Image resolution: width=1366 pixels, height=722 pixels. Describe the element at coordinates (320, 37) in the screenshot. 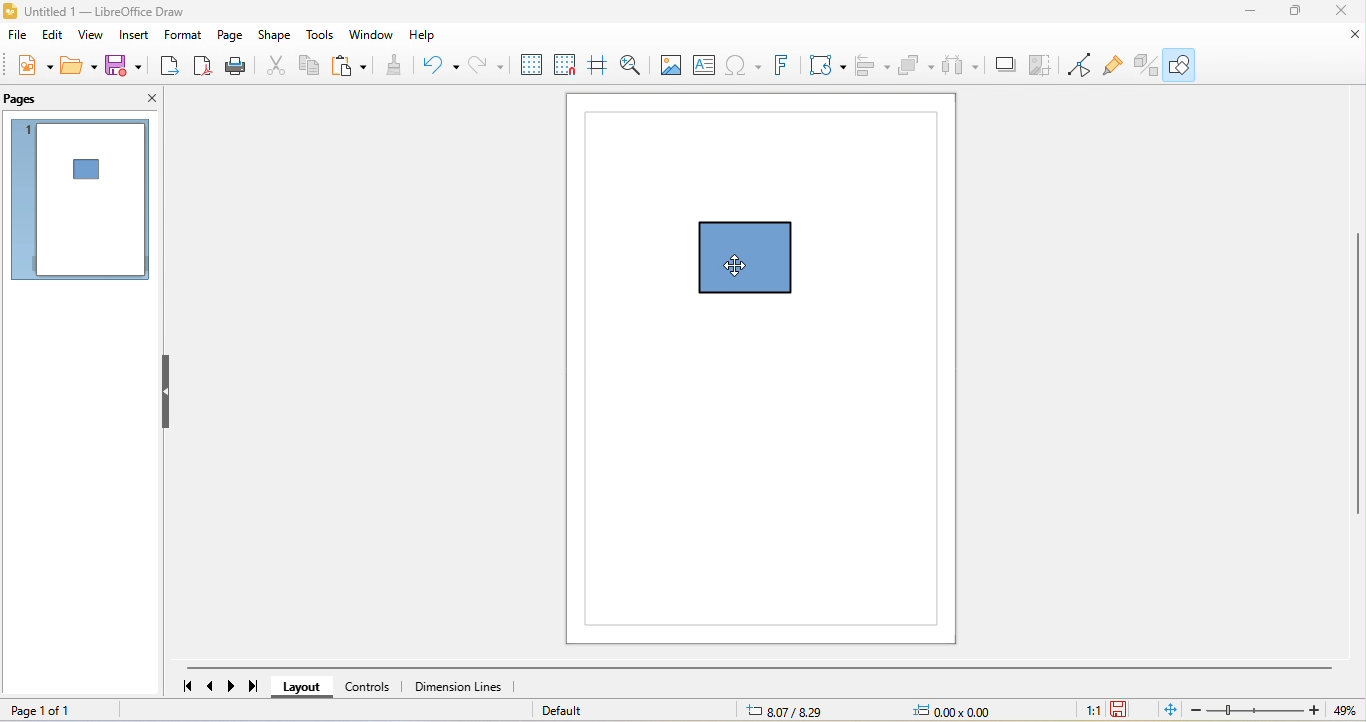

I see `tools` at that location.